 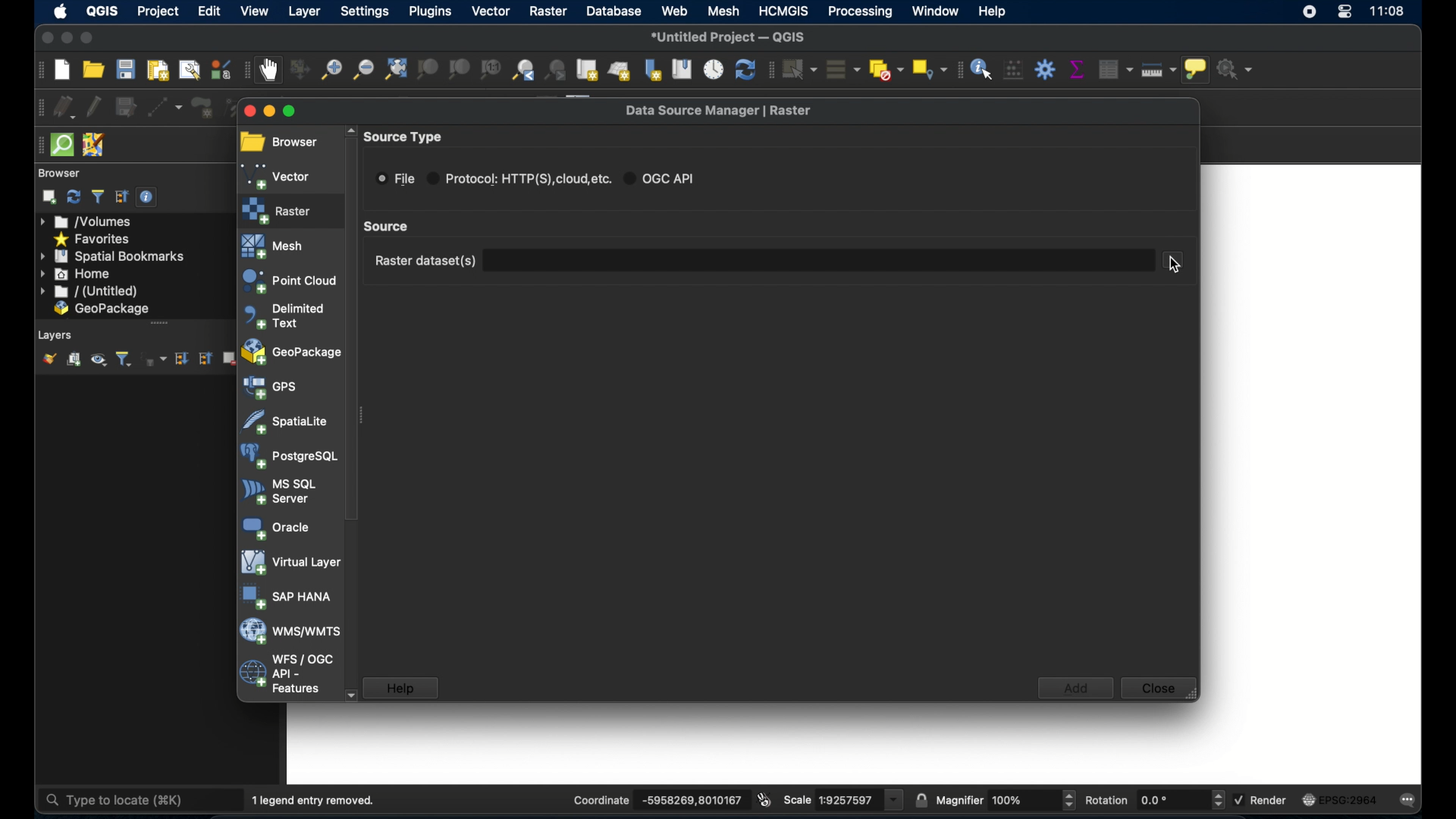 What do you see at coordinates (1155, 800) in the screenshot?
I see `rotations` at bounding box center [1155, 800].